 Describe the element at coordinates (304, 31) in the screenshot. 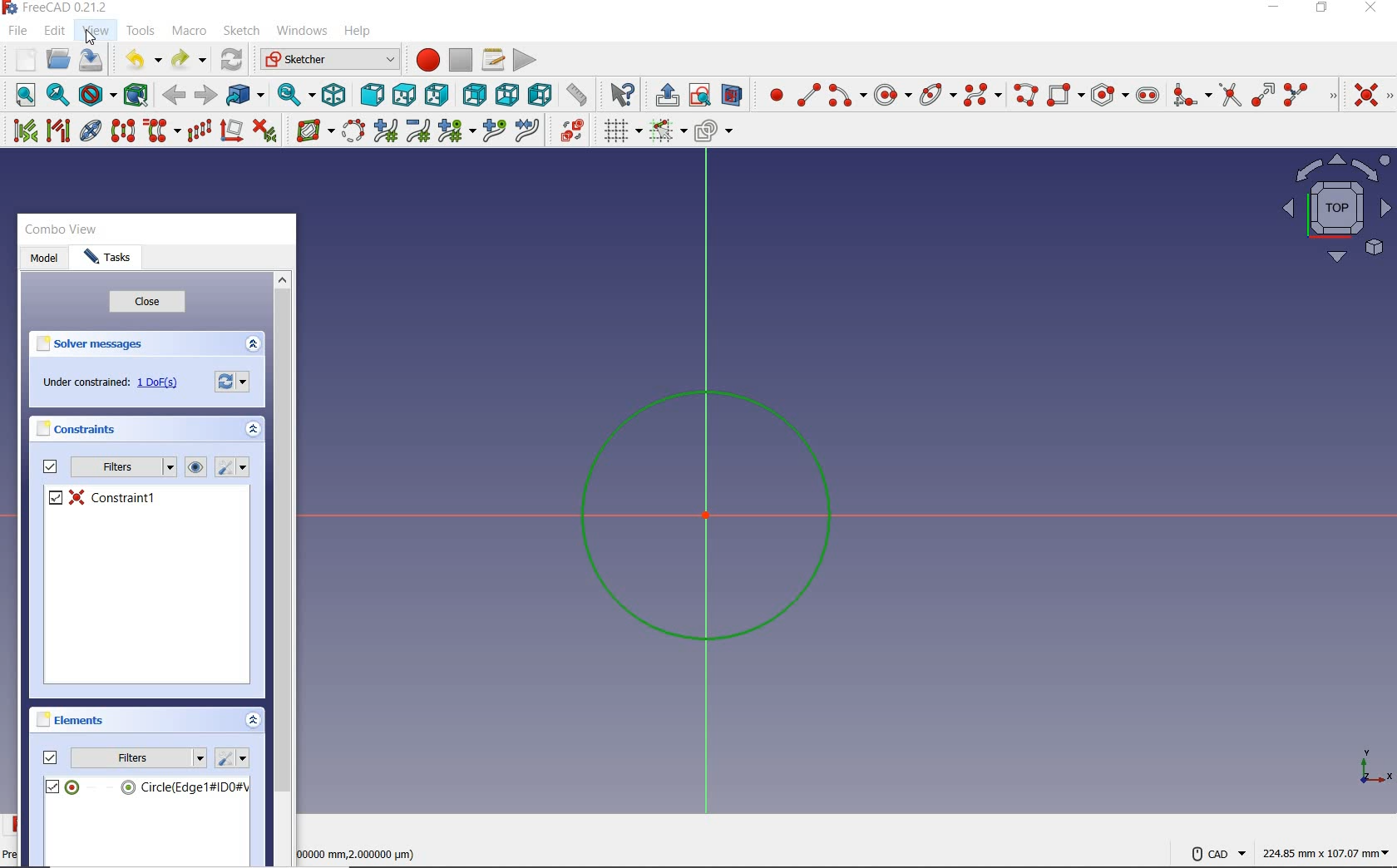

I see `windows` at that location.